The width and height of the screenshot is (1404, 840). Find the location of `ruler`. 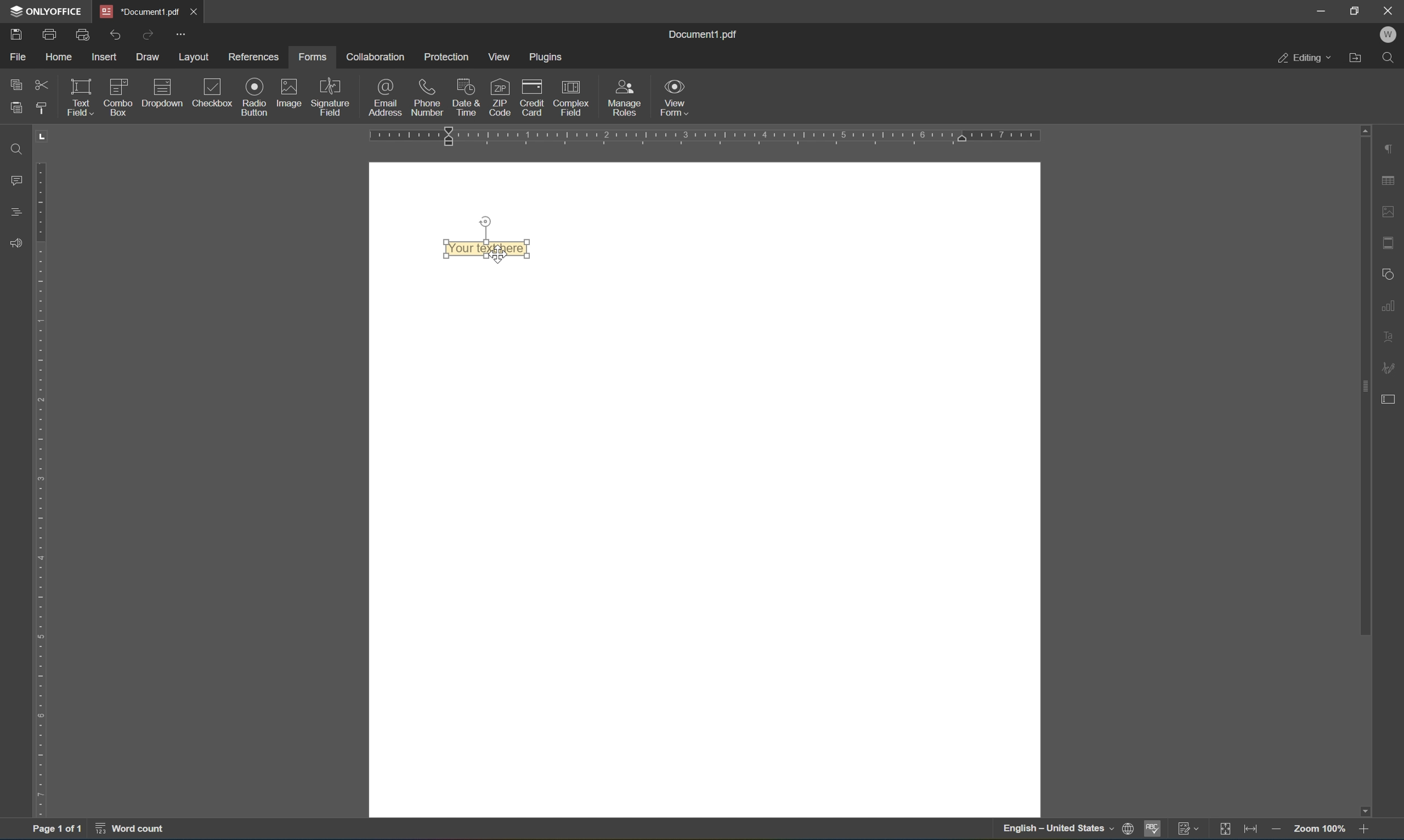

ruler is located at coordinates (707, 134).